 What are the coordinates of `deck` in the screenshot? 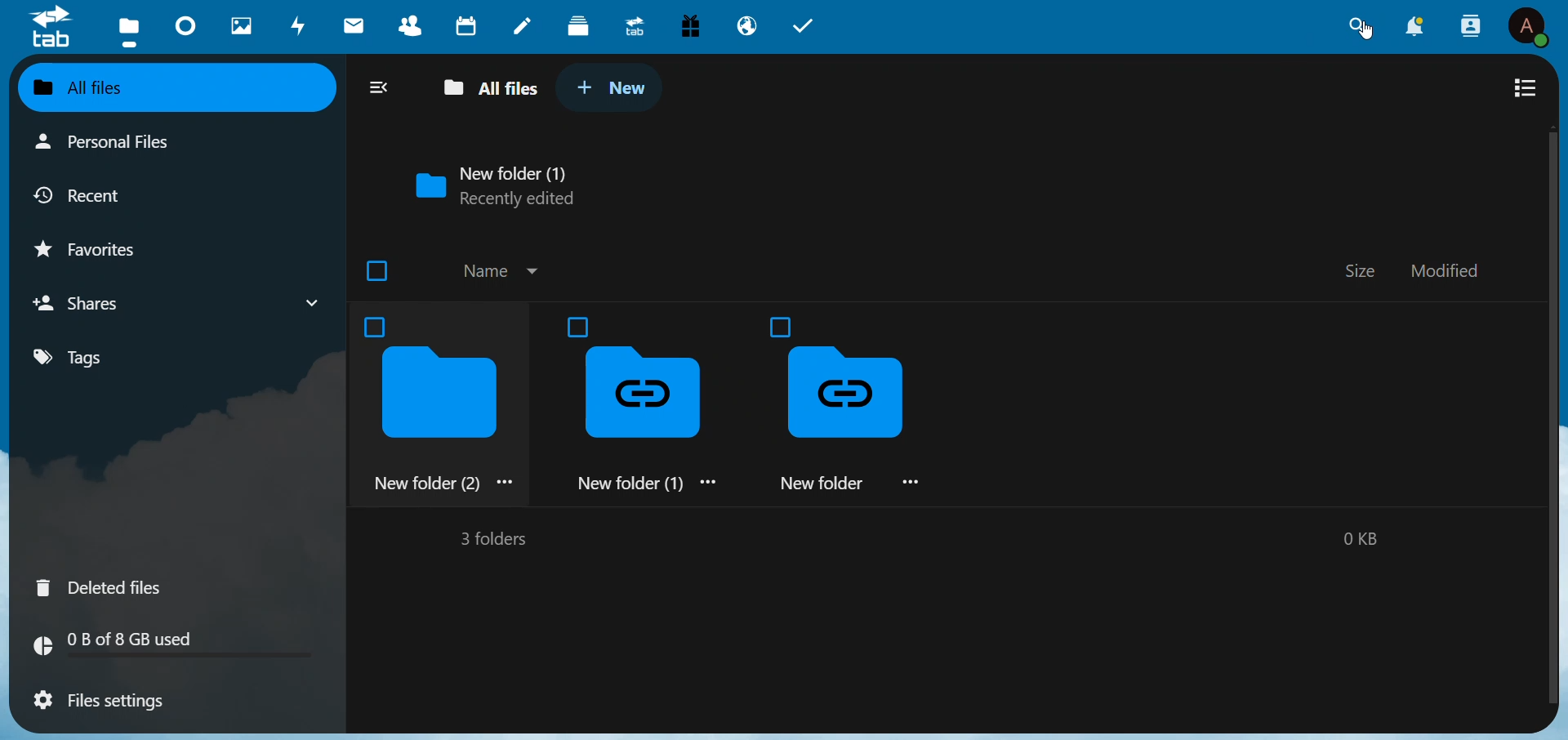 It's located at (578, 26).